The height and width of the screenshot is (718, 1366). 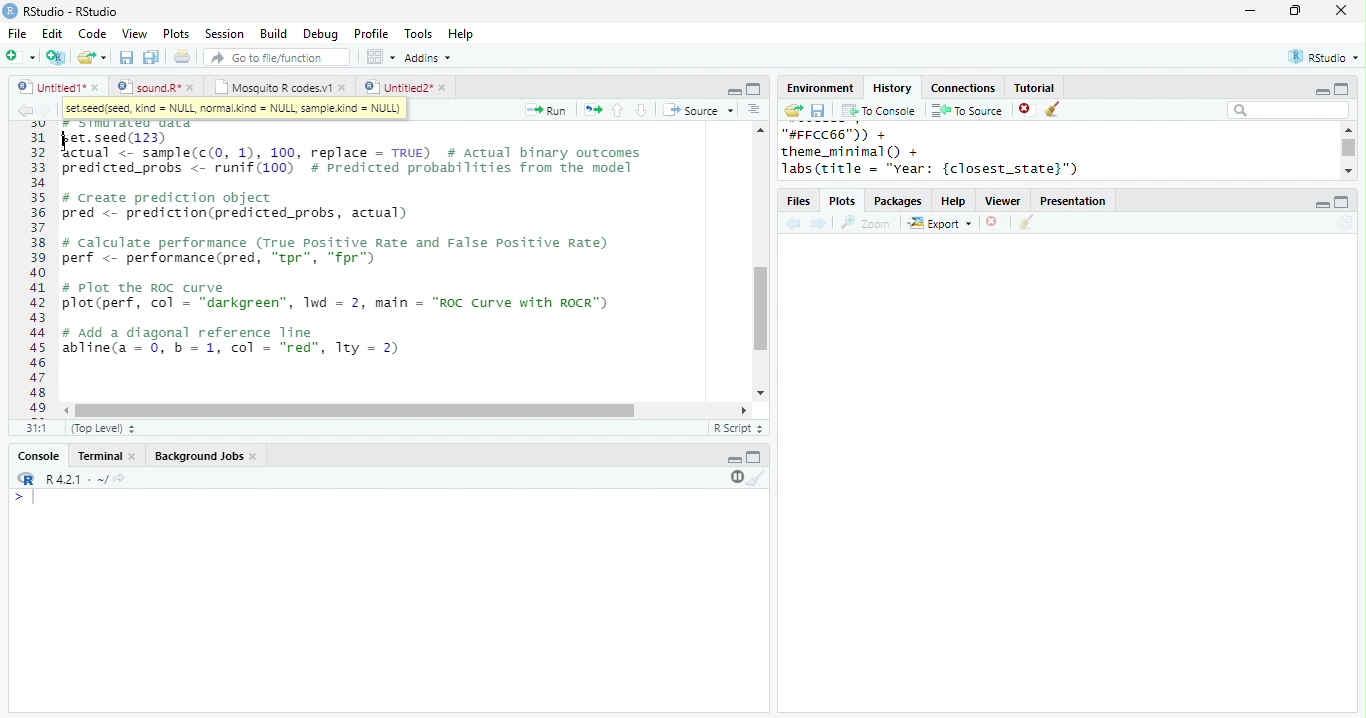 What do you see at coordinates (1295, 11) in the screenshot?
I see `resize` at bounding box center [1295, 11].